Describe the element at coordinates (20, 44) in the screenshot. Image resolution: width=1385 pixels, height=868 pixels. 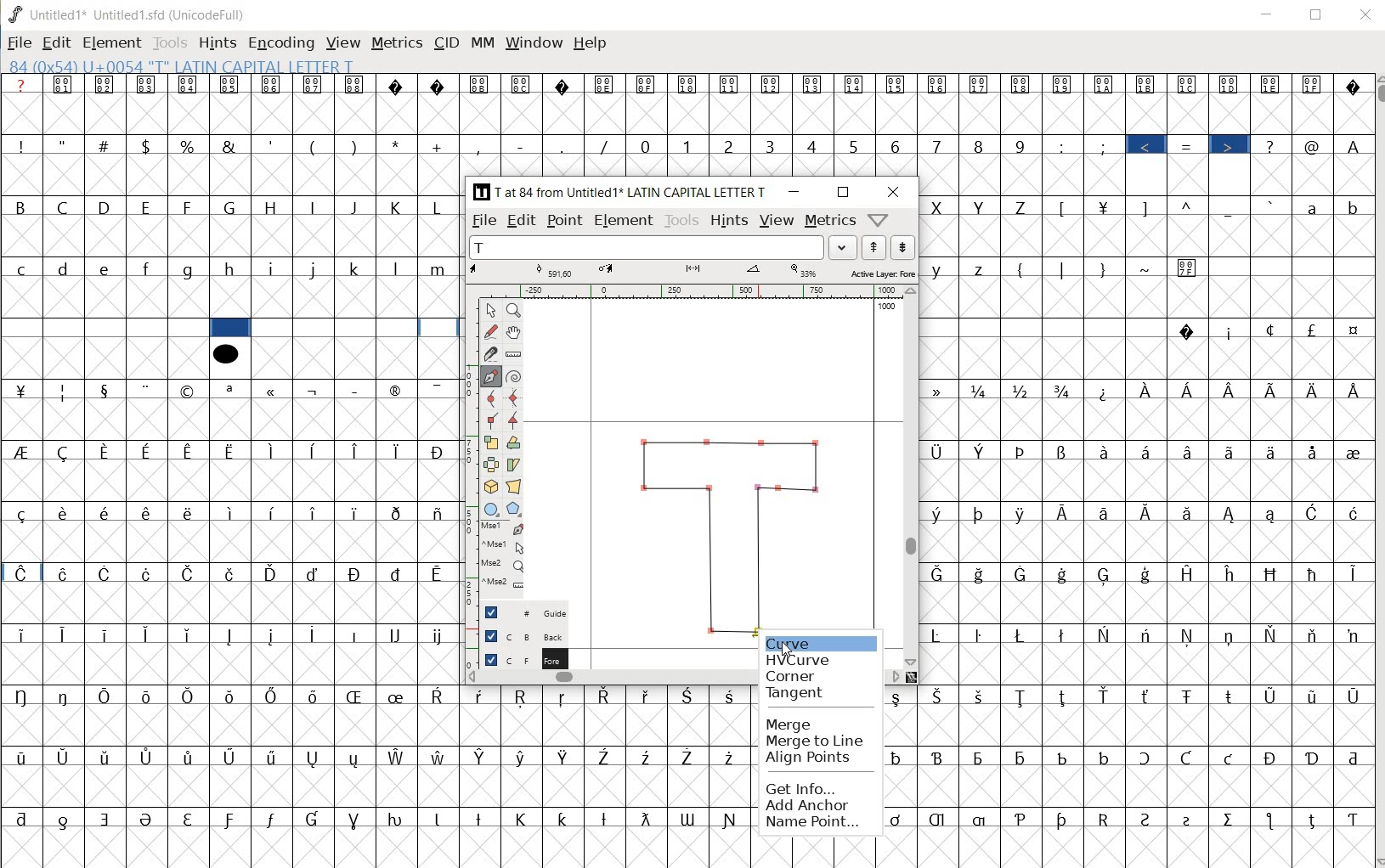
I see `file` at that location.